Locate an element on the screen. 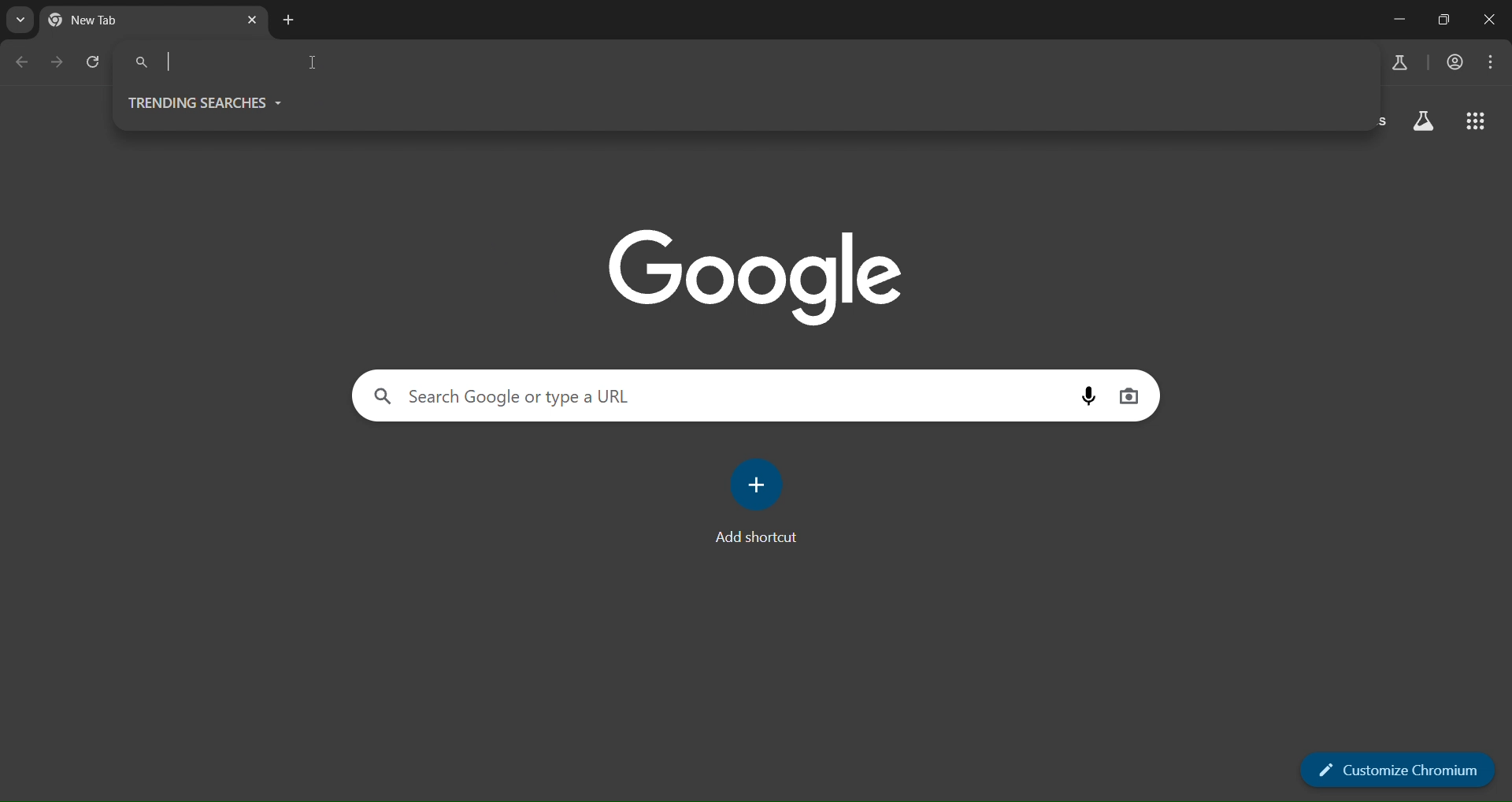 The width and height of the screenshot is (1512, 802). menu is located at coordinates (1492, 64).